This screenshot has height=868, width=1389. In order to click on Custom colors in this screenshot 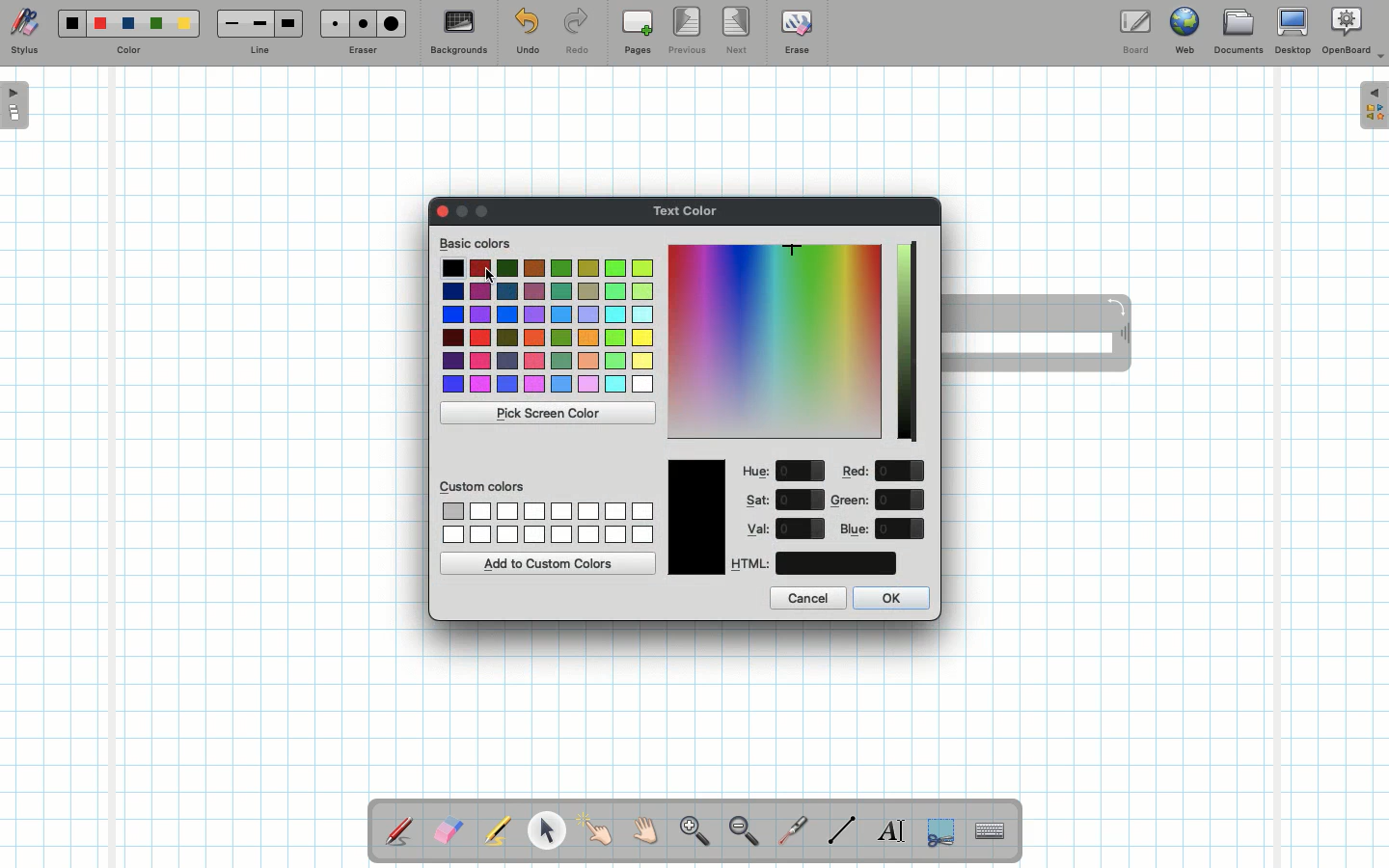, I will do `click(547, 523)`.